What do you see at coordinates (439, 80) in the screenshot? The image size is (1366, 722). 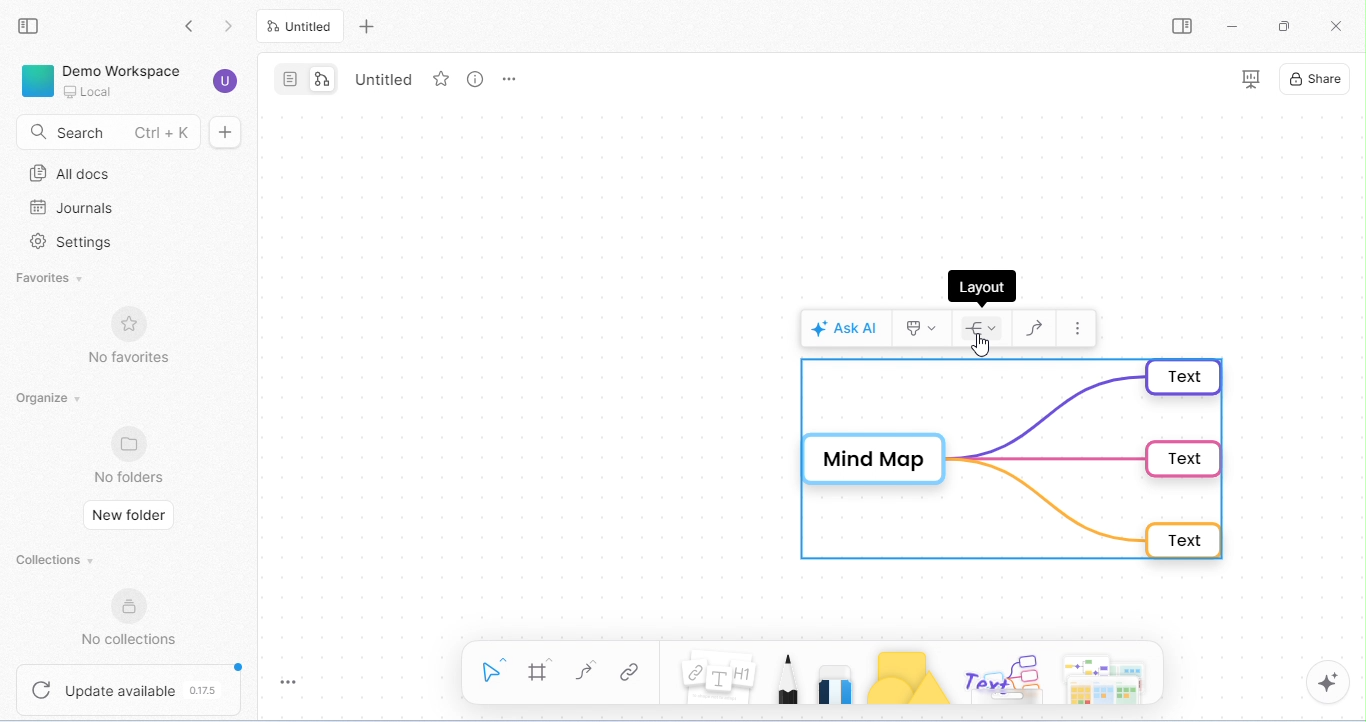 I see `favorites` at bounding box center [439, 80].